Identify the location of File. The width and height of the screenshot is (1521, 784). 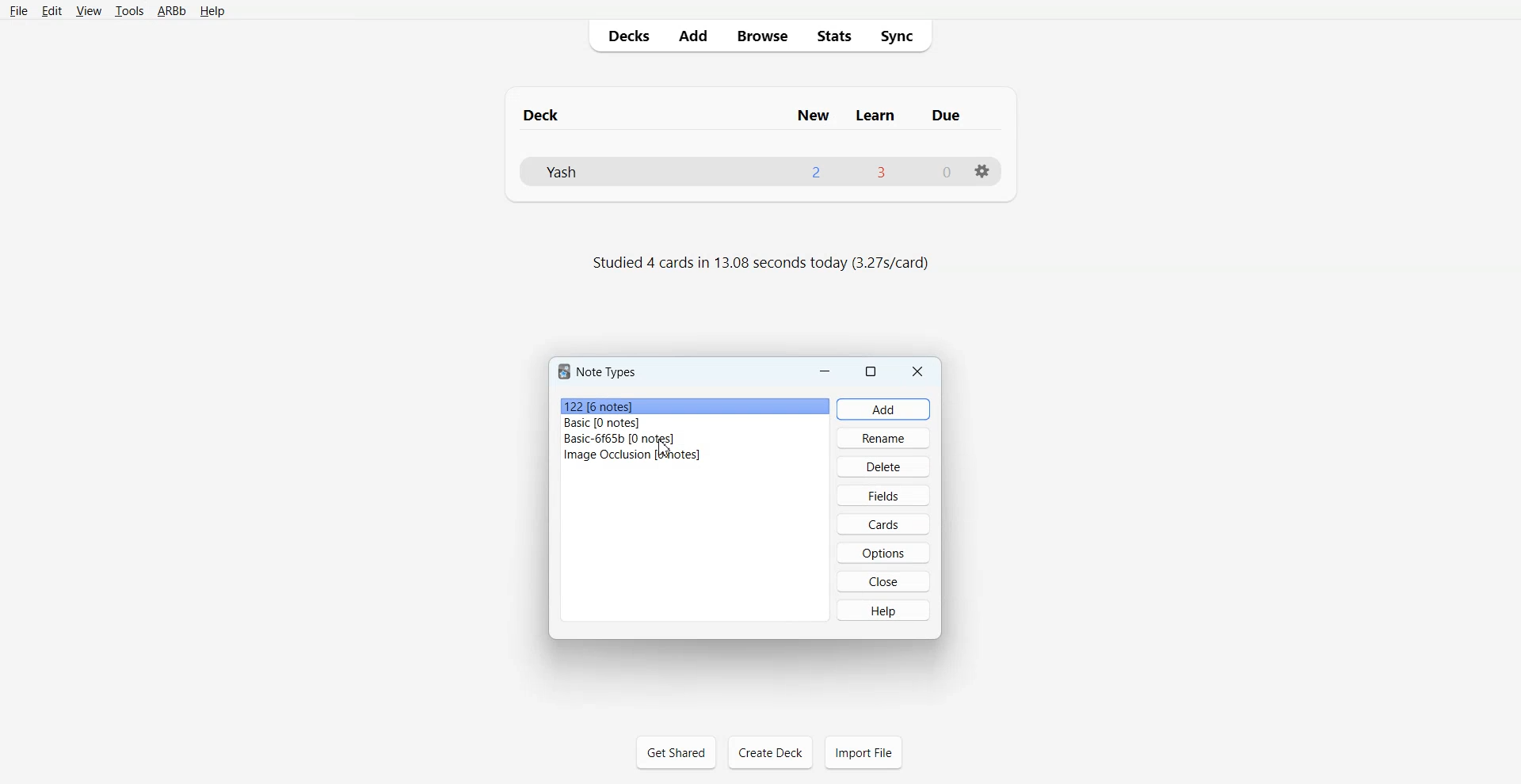
(19, 11).